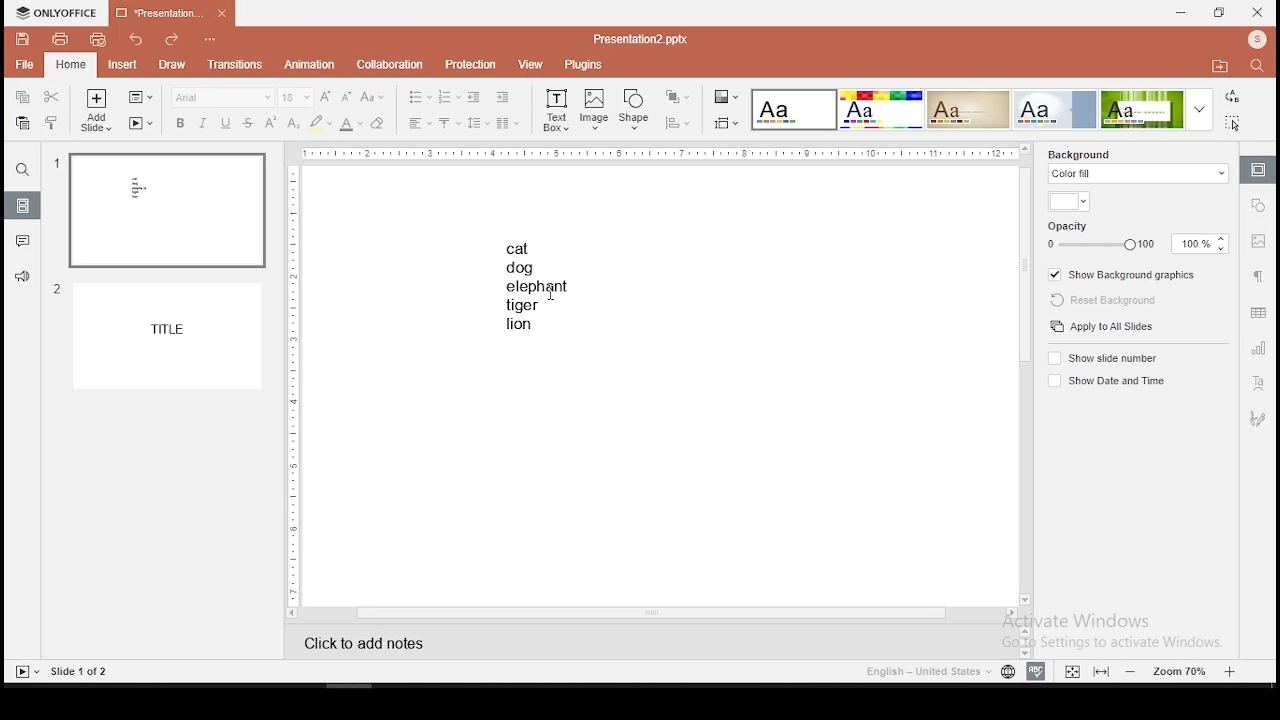 This screenshot has width=1280, height=720. What do you see at coordinates (880, 109) in the screenshot?
I see `theme ` at bounding box center [880, 109].